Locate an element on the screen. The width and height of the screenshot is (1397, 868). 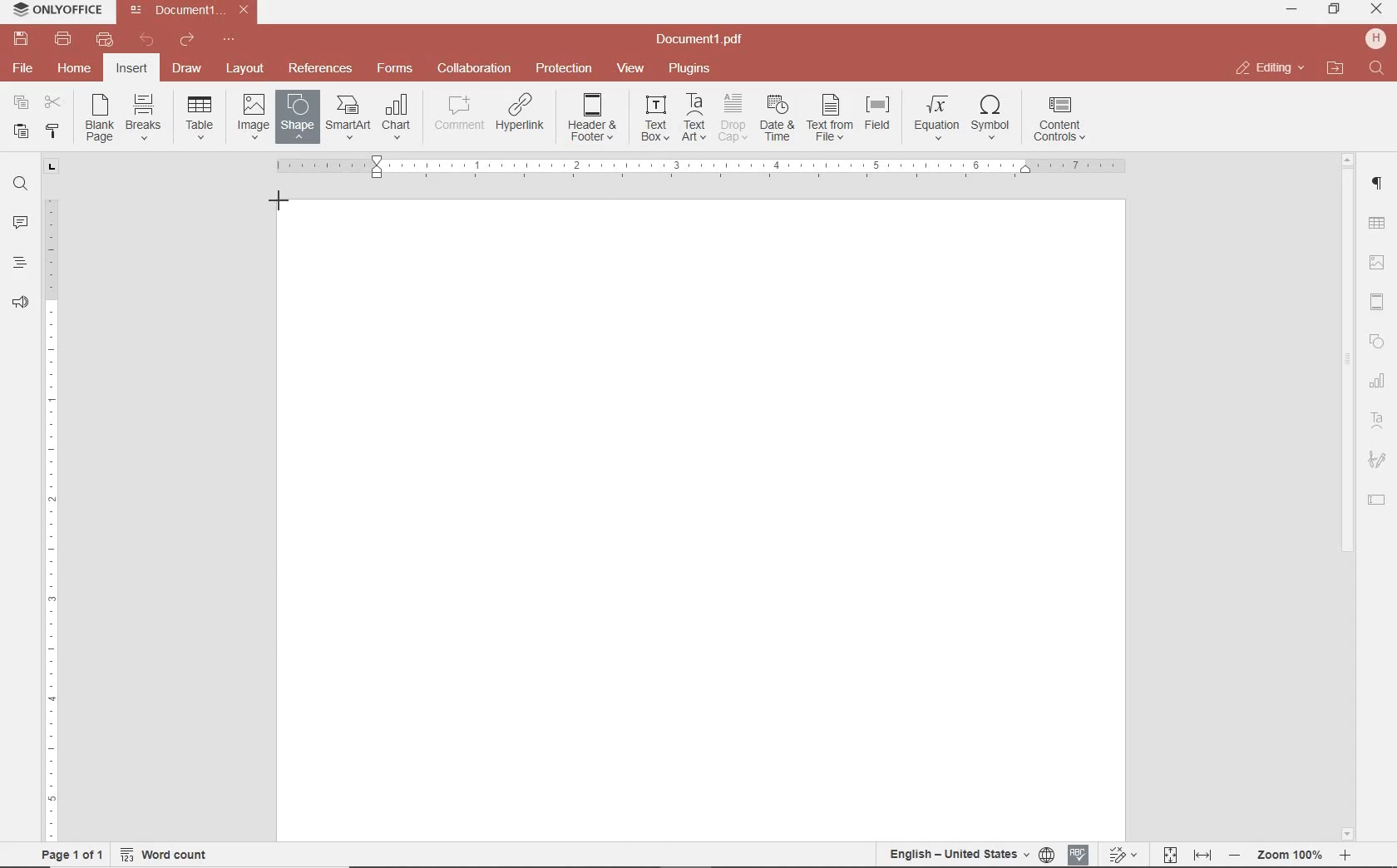
NSERT EQUATION is located at coordinates (935, 116).